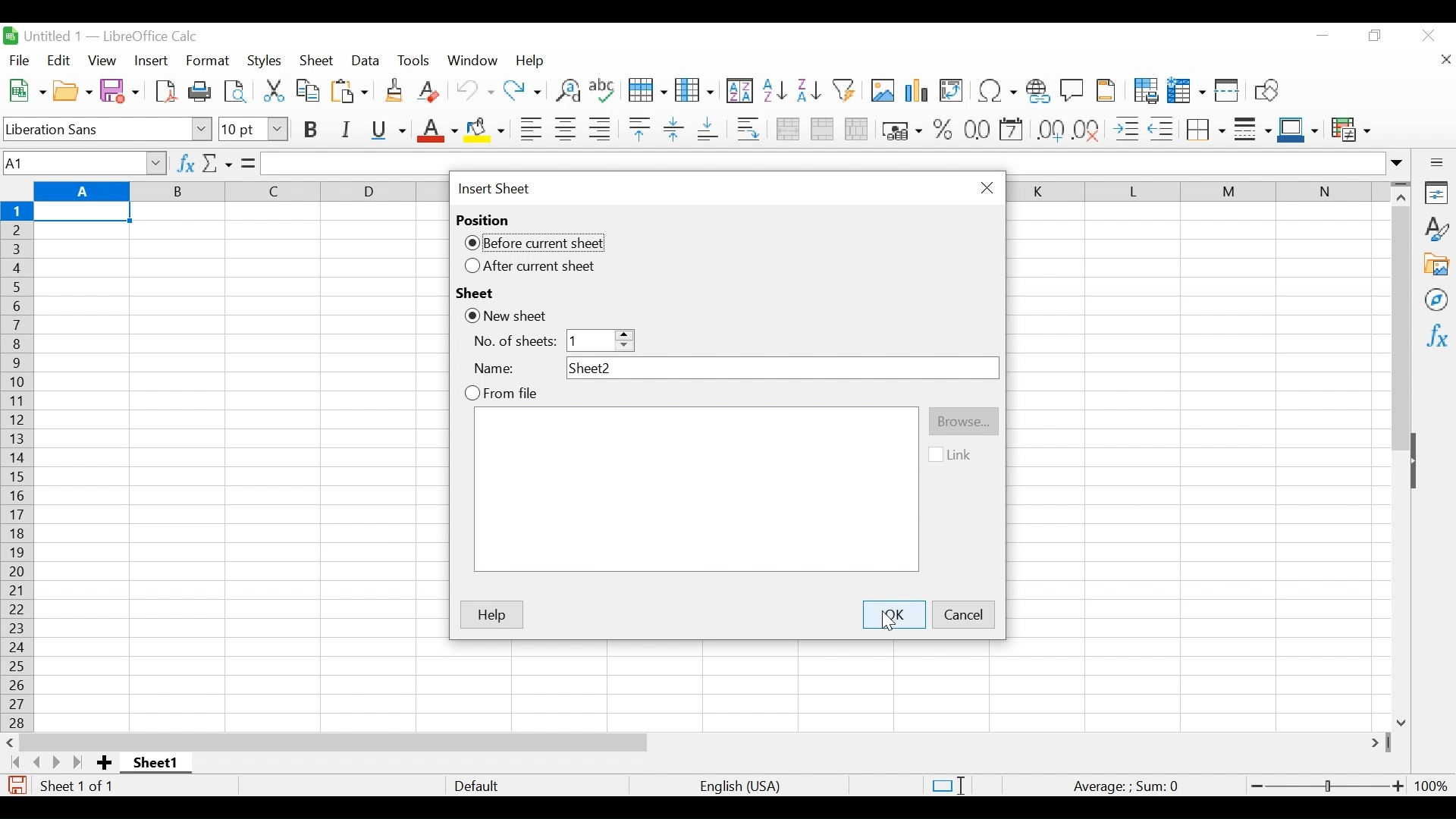 The height and width of the screenshot is (819, 1456). I want to click on Headers and Footers, so click(1107, 91).